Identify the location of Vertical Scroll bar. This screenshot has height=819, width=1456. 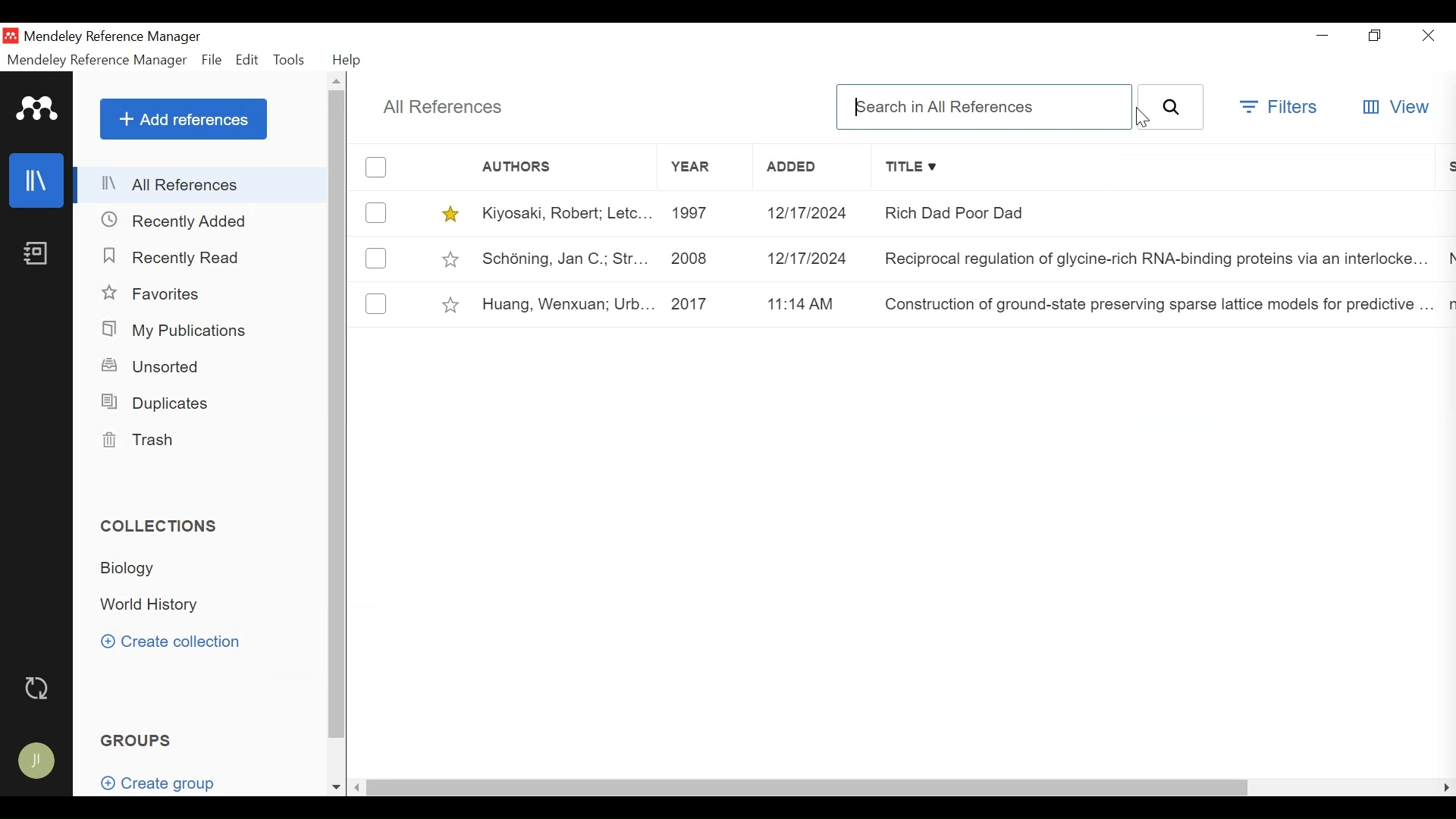
(336, 415).